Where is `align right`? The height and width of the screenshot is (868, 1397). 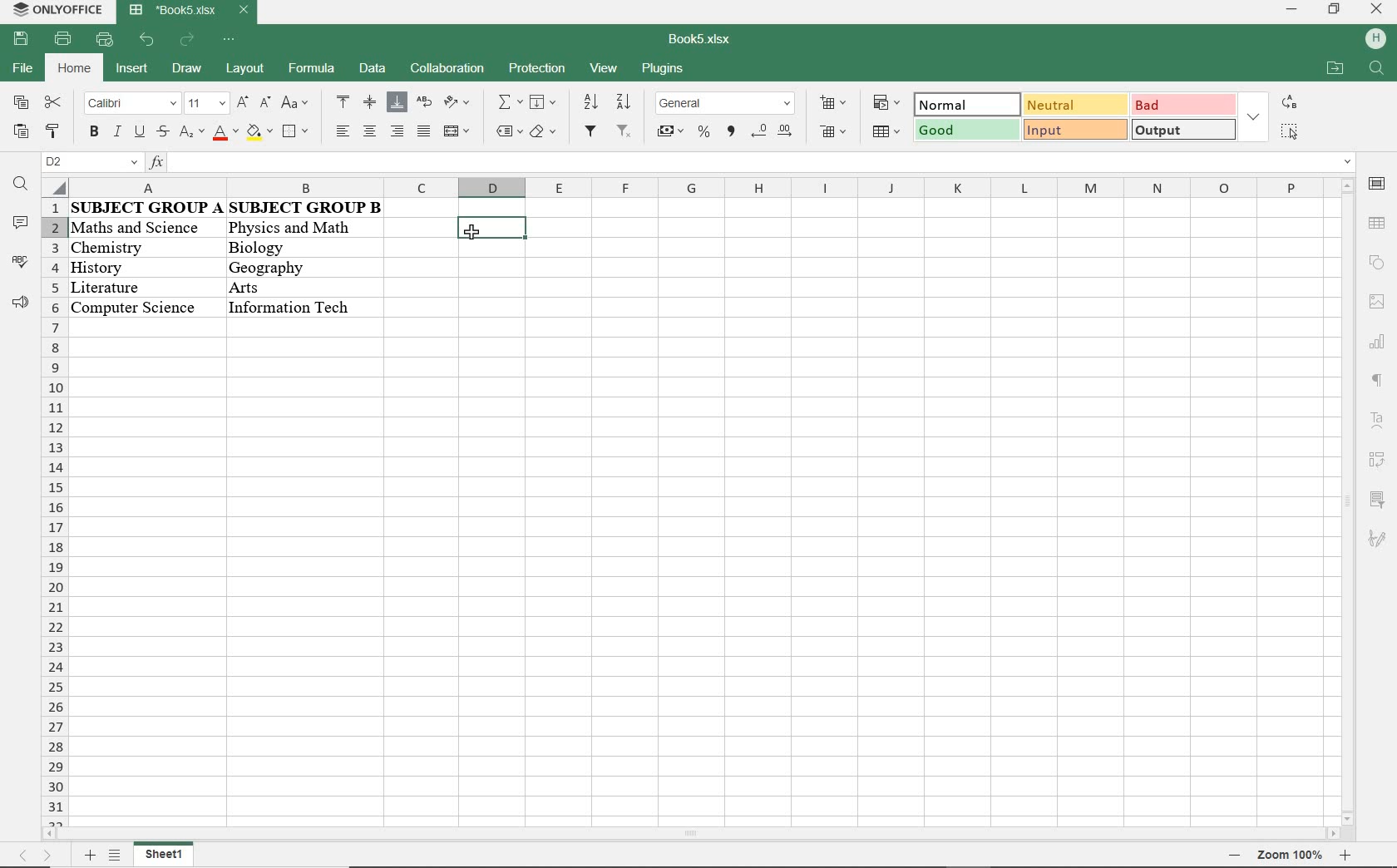
align right is located at coordinates (396, 131).